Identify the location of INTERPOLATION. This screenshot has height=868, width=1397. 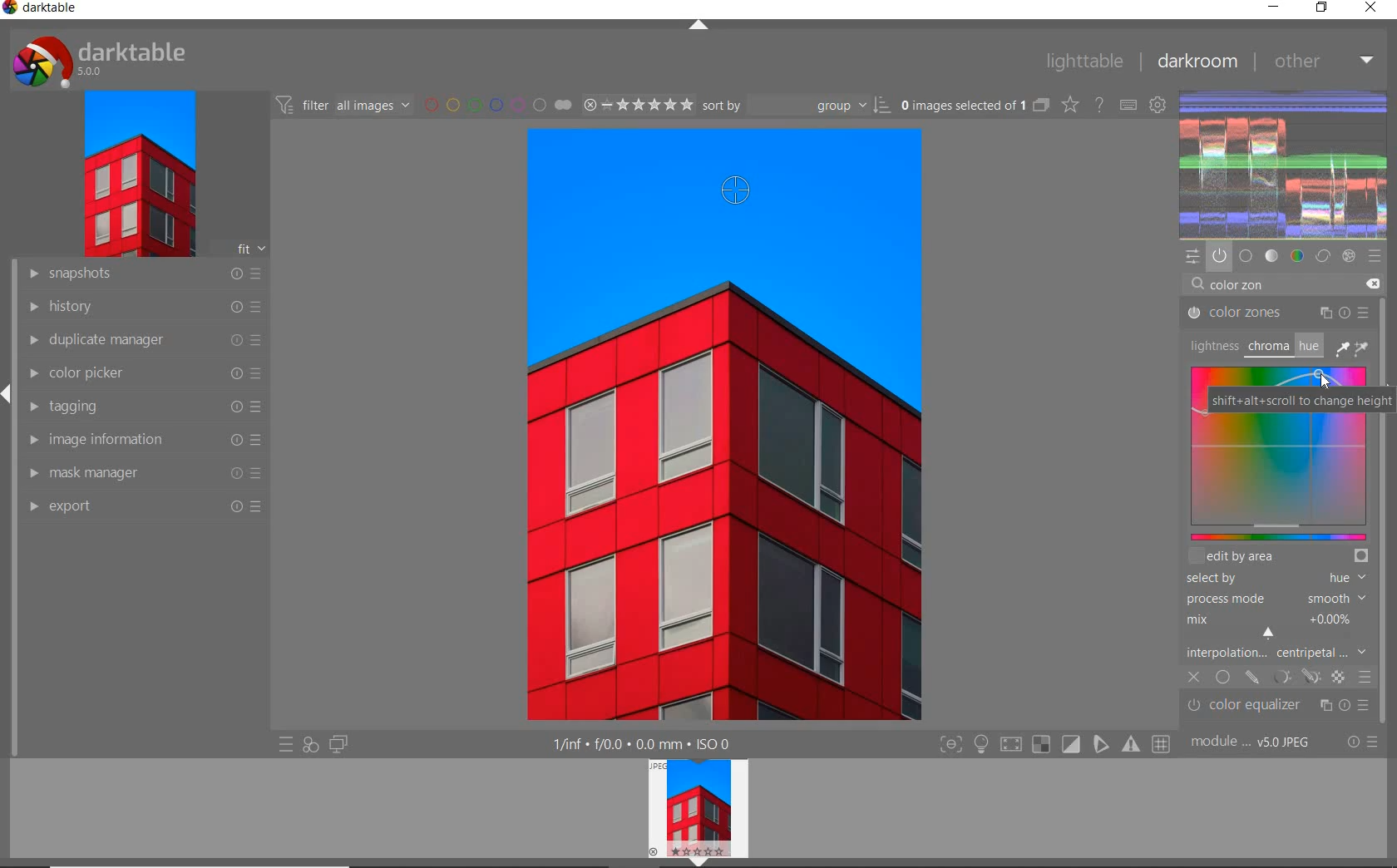
(1276, 652).